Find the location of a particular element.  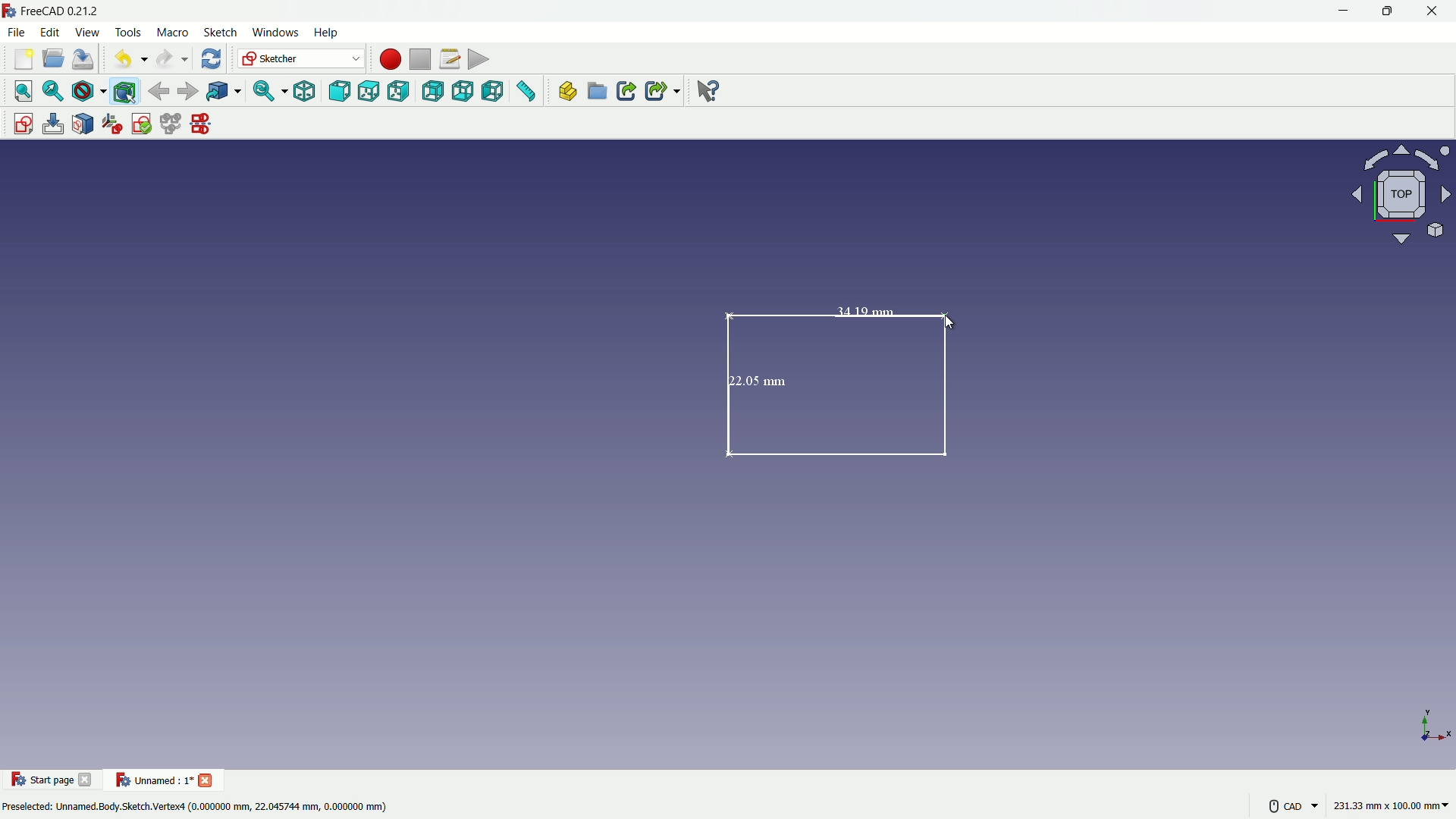

switch workbenches is located at coordinates (301, 59).